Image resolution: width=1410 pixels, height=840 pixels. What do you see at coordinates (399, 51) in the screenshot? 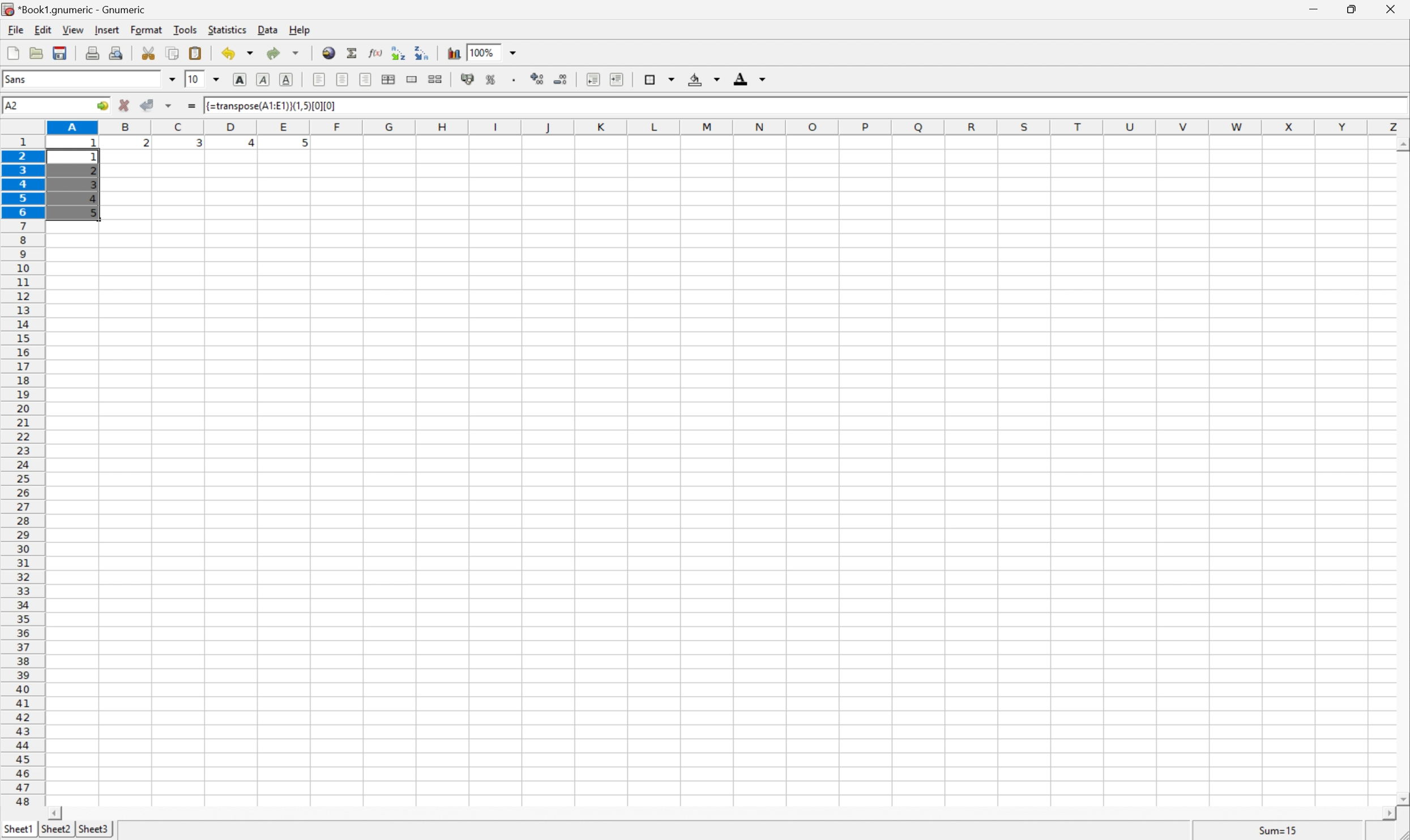
I see `Sort the selected region in ascending order based on the first column selected` at bounding box center [399, 51].